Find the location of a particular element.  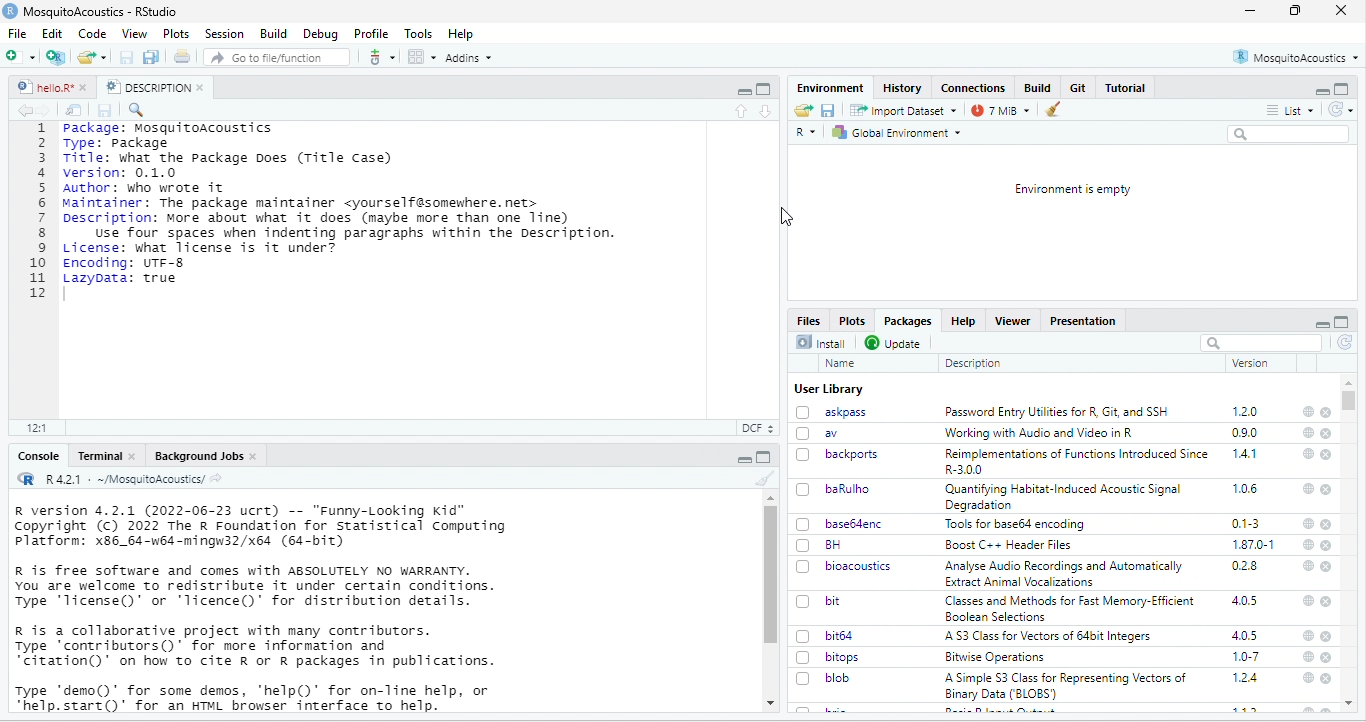

Install is located at coordinates (821, 342).